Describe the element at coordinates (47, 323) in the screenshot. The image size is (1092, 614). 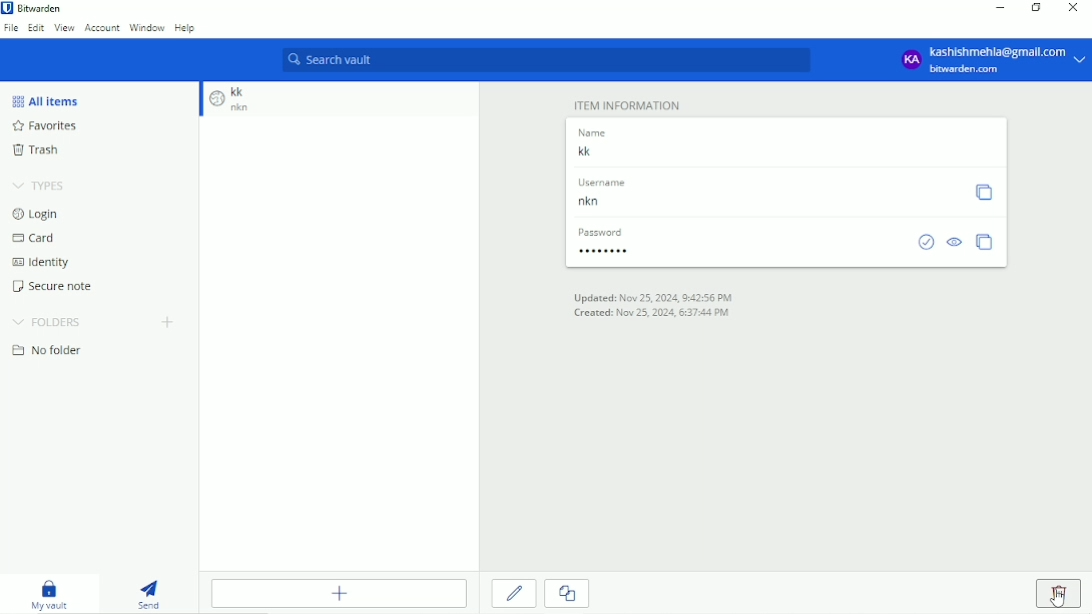
I see `Folders` at that location.